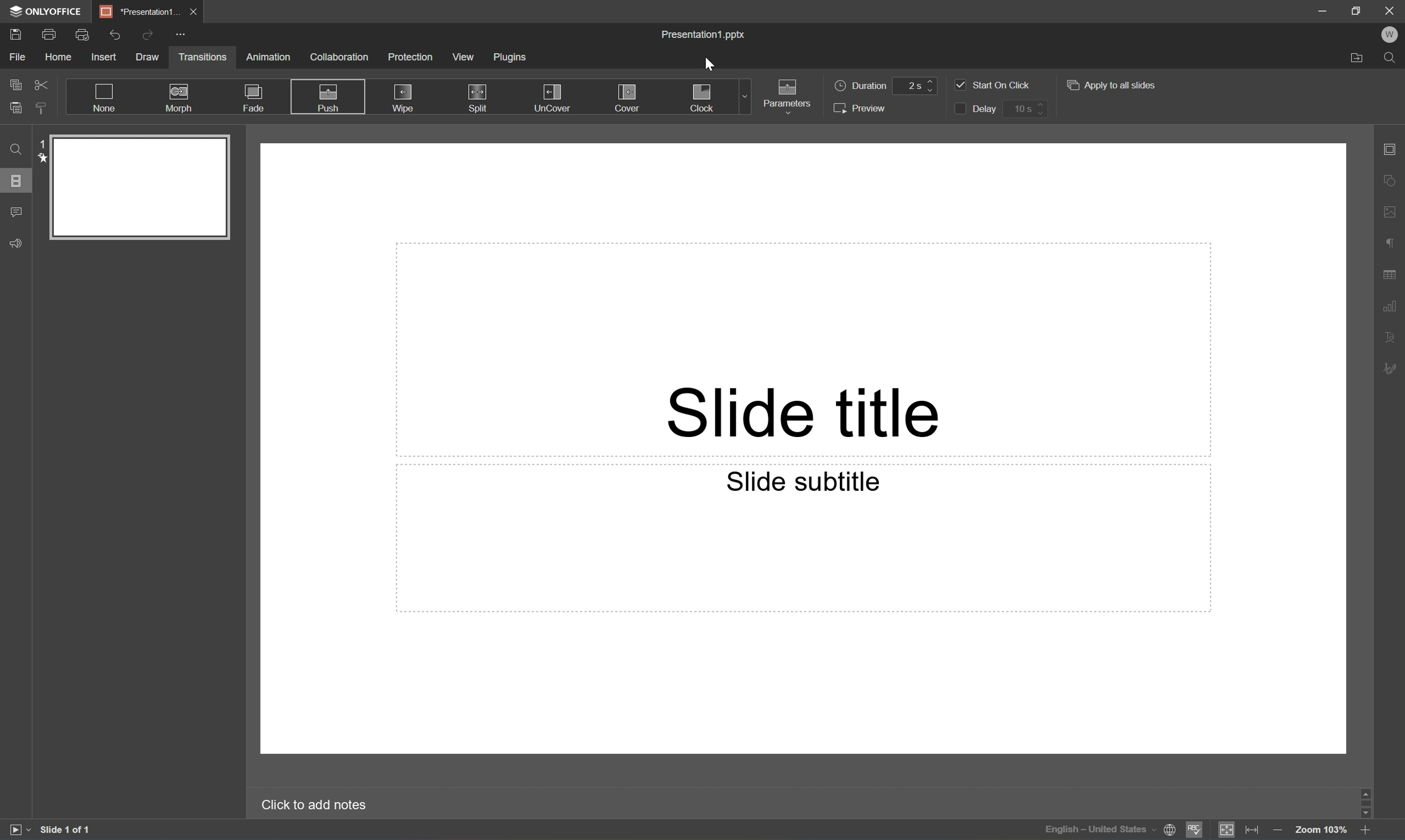  I want to click on Parameters, so click(787, 96).